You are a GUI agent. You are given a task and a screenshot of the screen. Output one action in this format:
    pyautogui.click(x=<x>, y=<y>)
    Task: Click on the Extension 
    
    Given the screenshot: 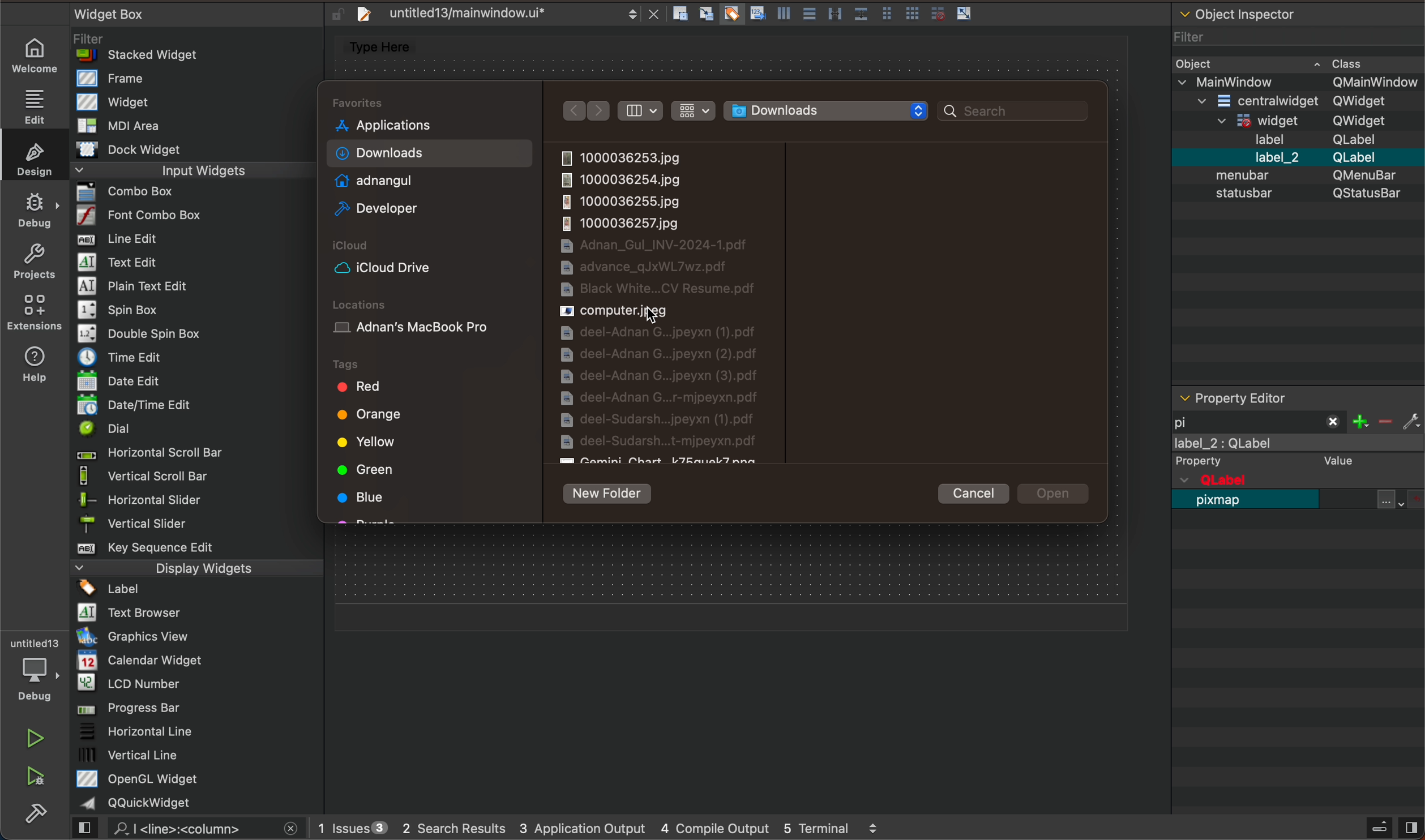 What is the action you would take?
    pyautogui.click(x=34, y=312)
    